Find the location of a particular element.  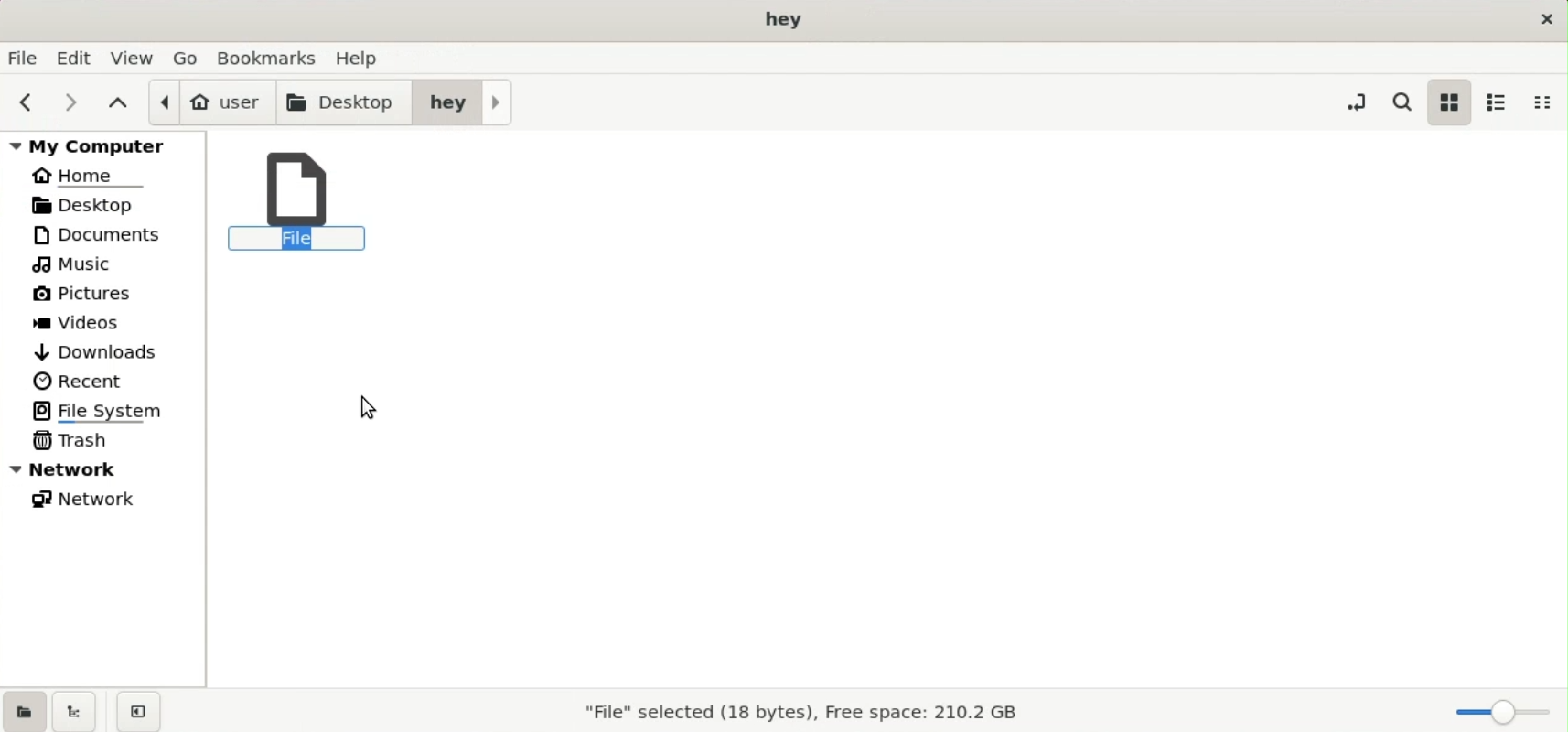

file system is located at coordinates (105, 410).